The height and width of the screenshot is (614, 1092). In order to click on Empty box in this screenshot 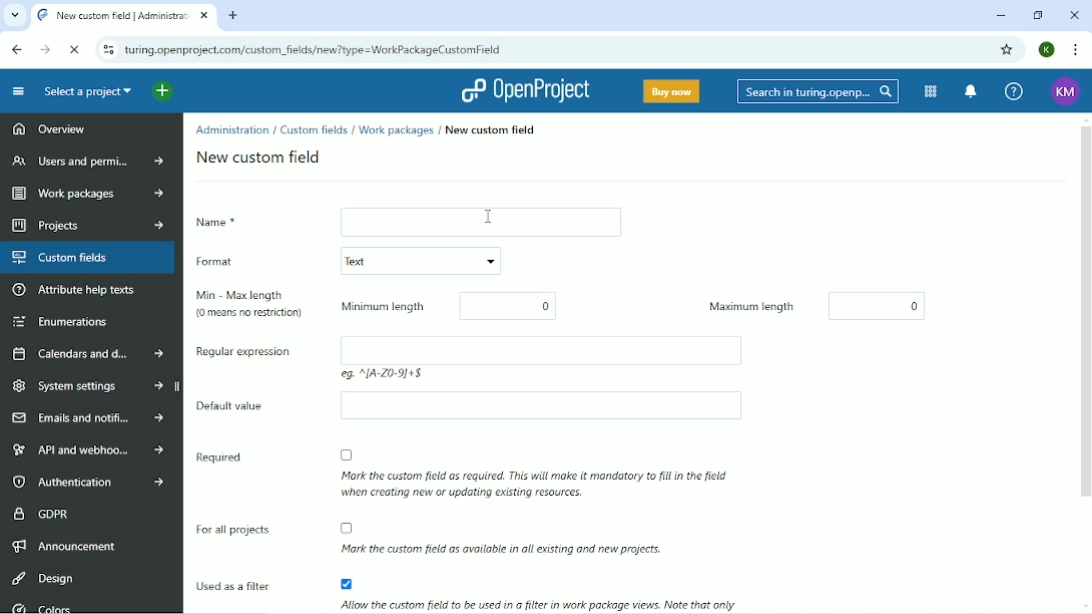, I will do `click(555, 410)`.